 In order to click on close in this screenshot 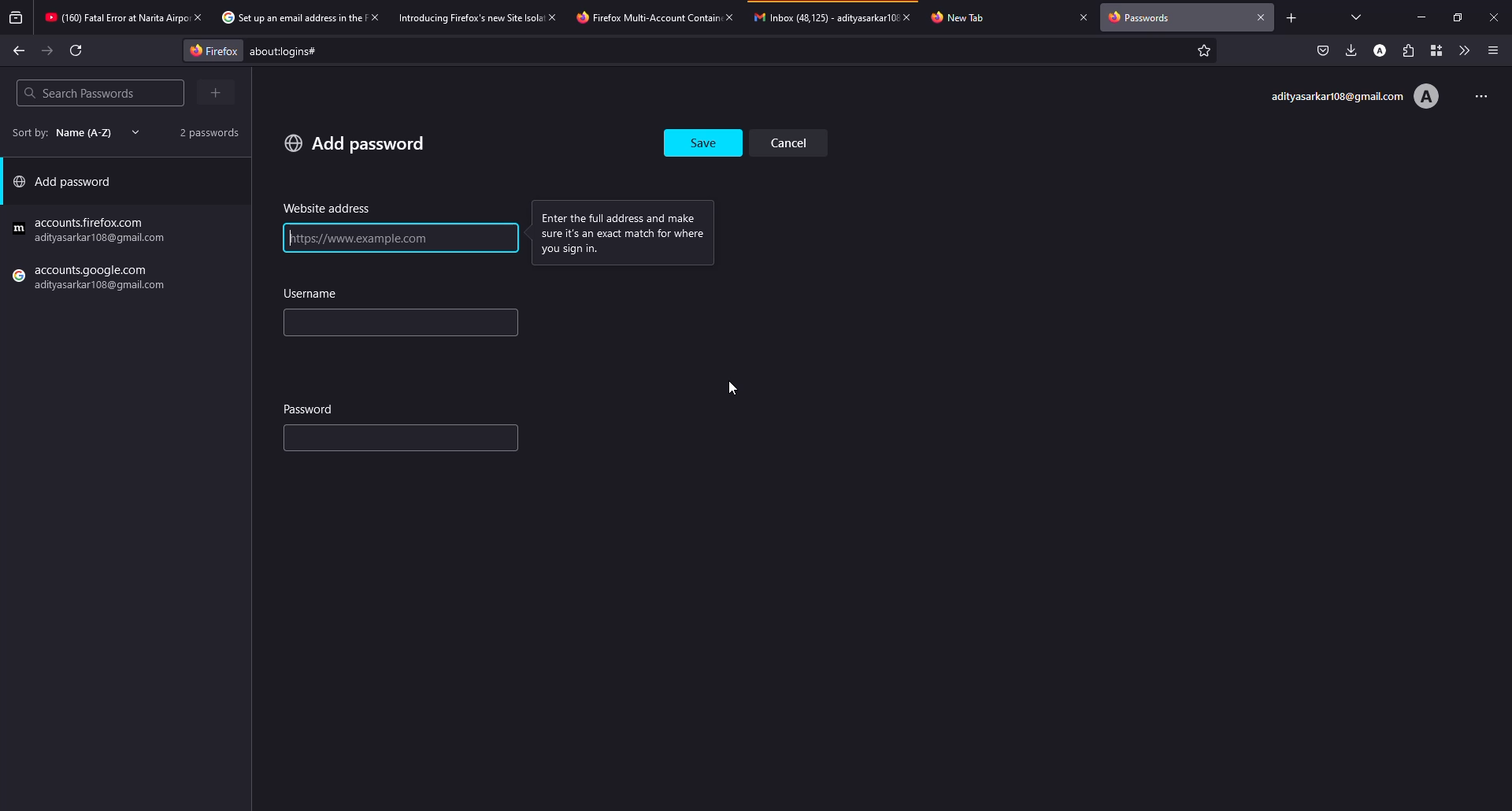, I will do `click(1494, 17)`.